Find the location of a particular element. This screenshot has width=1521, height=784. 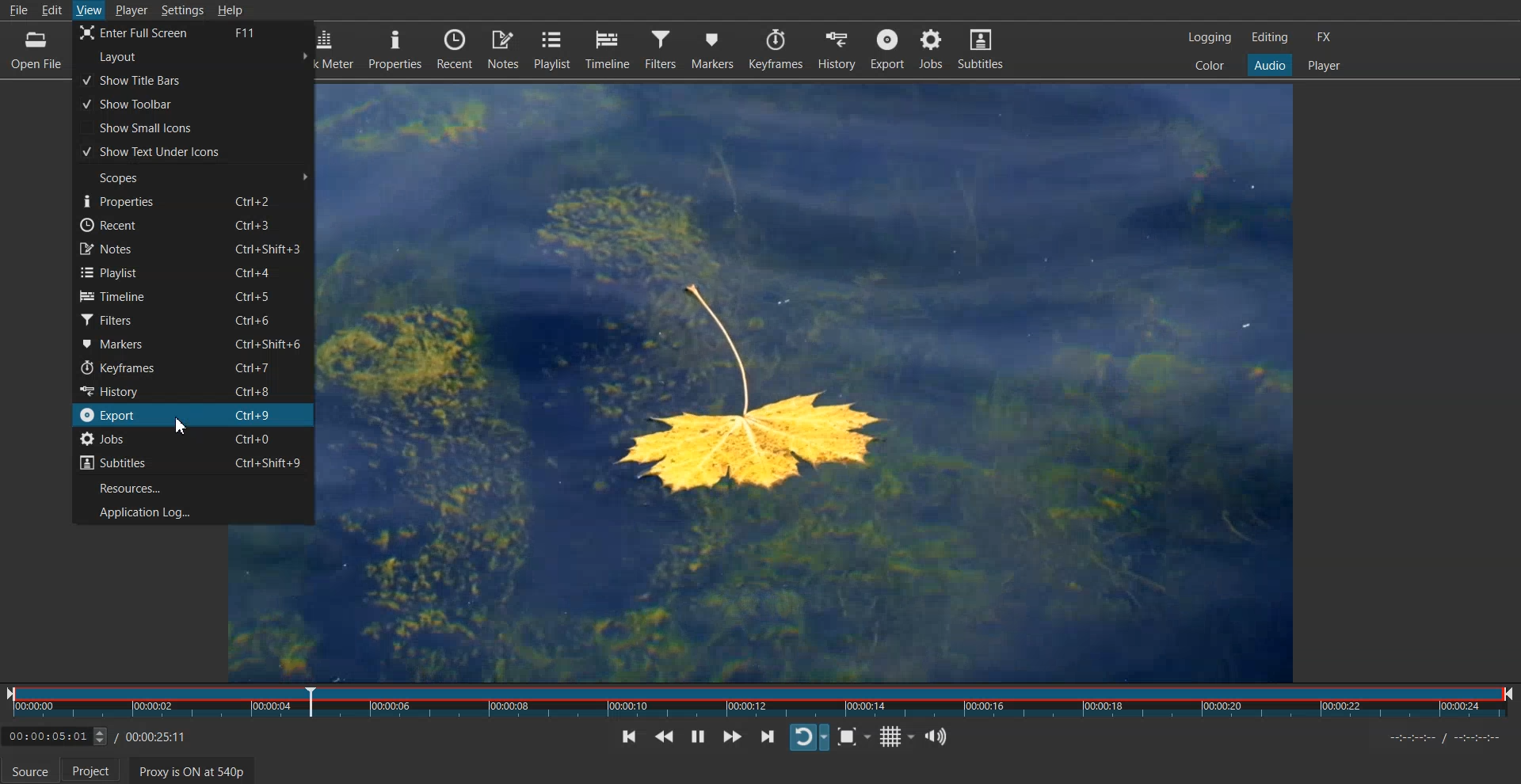

Keyframes is located at coordinates (192, 367).